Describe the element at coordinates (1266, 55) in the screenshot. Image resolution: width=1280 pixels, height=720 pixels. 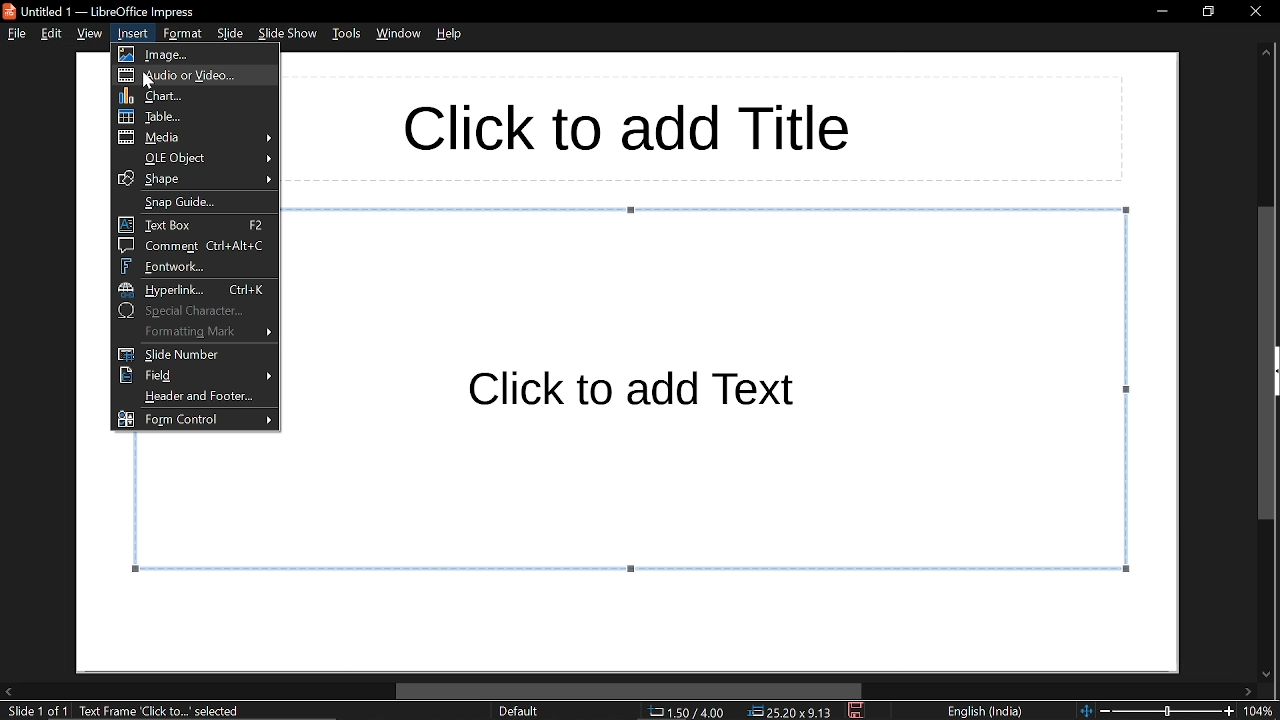
I see `move up` at that location.